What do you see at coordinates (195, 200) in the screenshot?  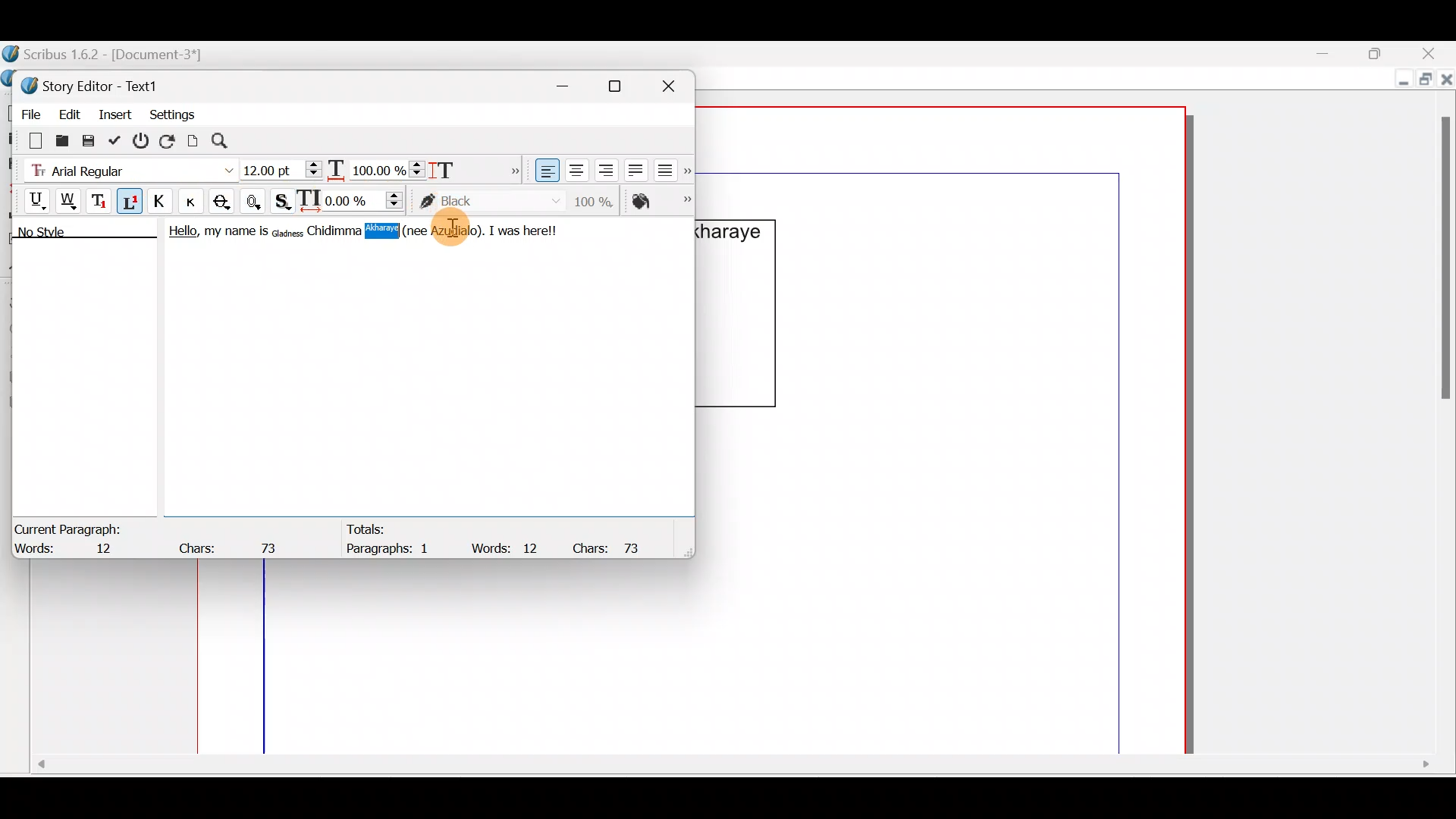 I see `Small caps` at bounding box center [195, 200].